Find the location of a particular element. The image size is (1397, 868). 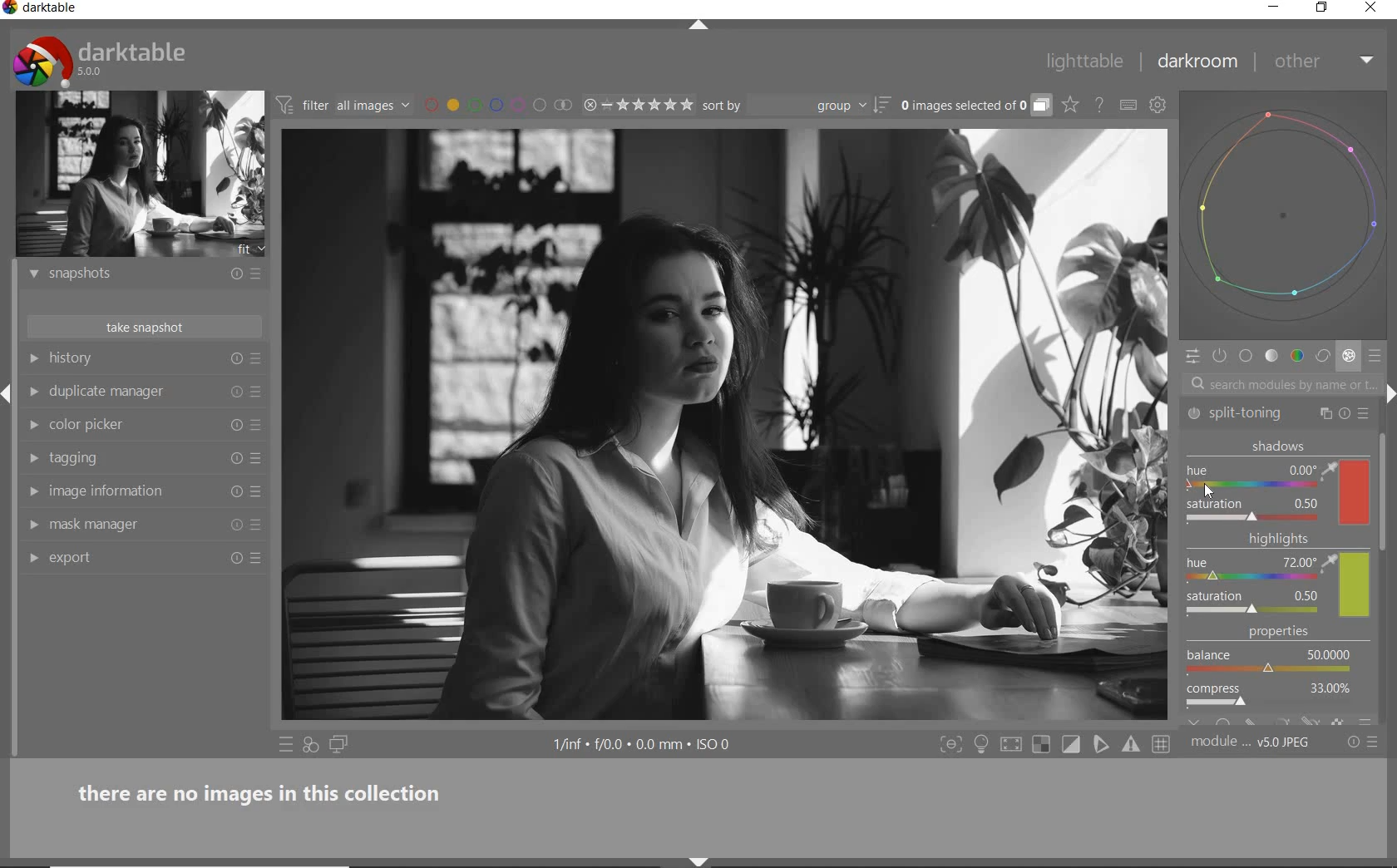

quick access for applying any of your styles is located at coordinates (312, 746).